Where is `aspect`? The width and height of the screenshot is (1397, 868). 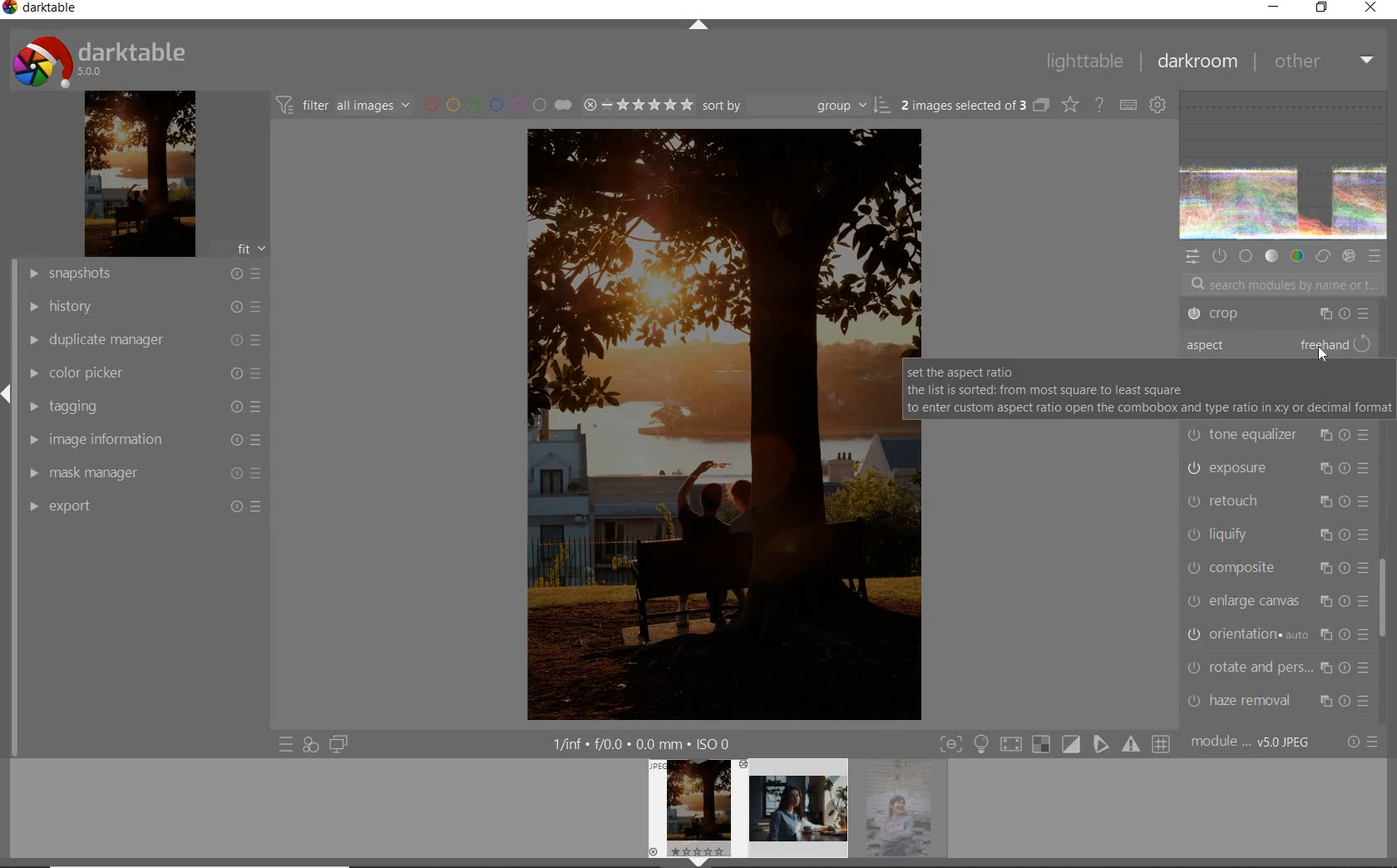 aspect is located at coordinates (1233, 347).